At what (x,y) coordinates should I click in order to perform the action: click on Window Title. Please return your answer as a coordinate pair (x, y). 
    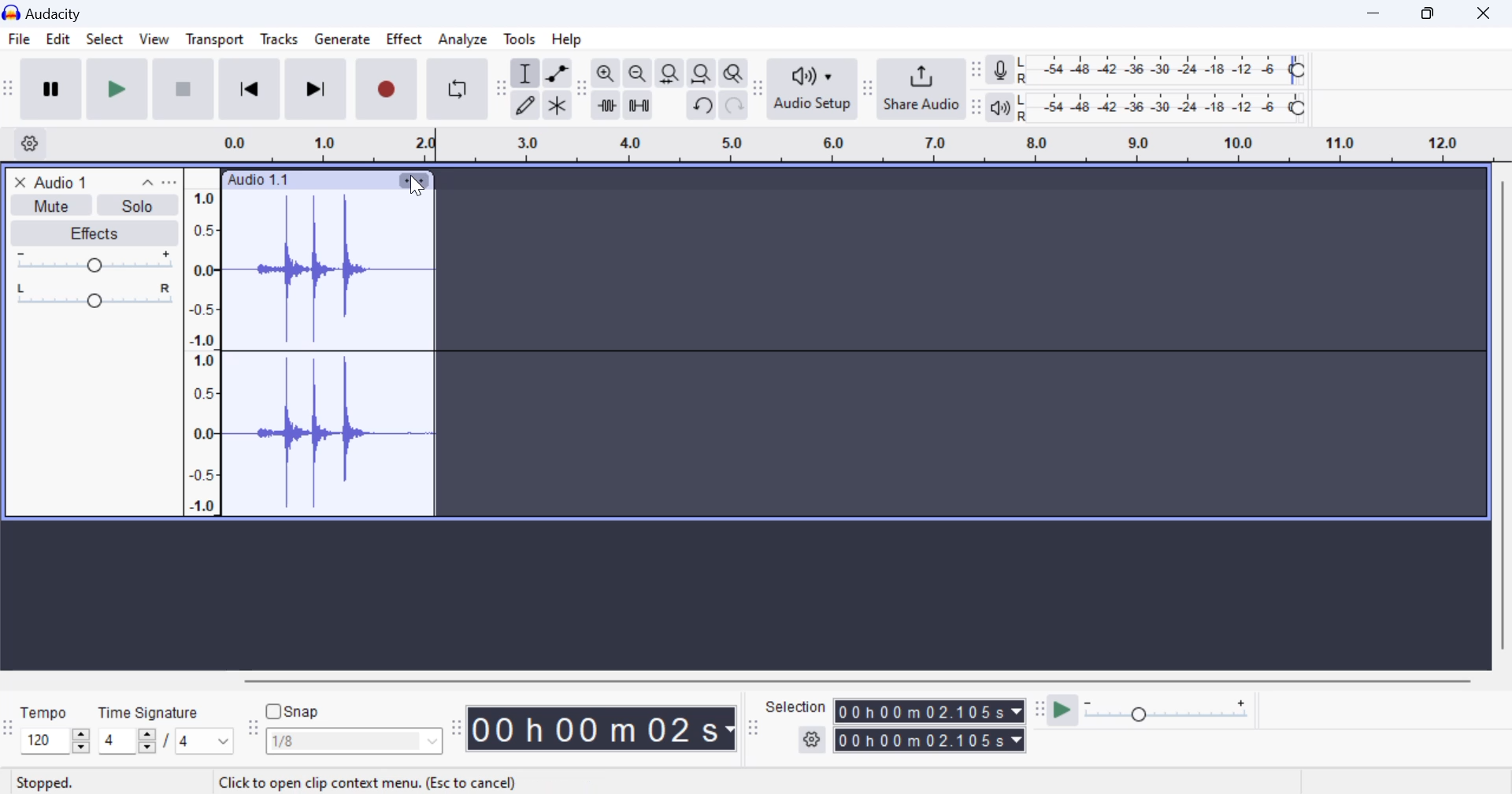
    Looking at the image, I should click on (50, 13).